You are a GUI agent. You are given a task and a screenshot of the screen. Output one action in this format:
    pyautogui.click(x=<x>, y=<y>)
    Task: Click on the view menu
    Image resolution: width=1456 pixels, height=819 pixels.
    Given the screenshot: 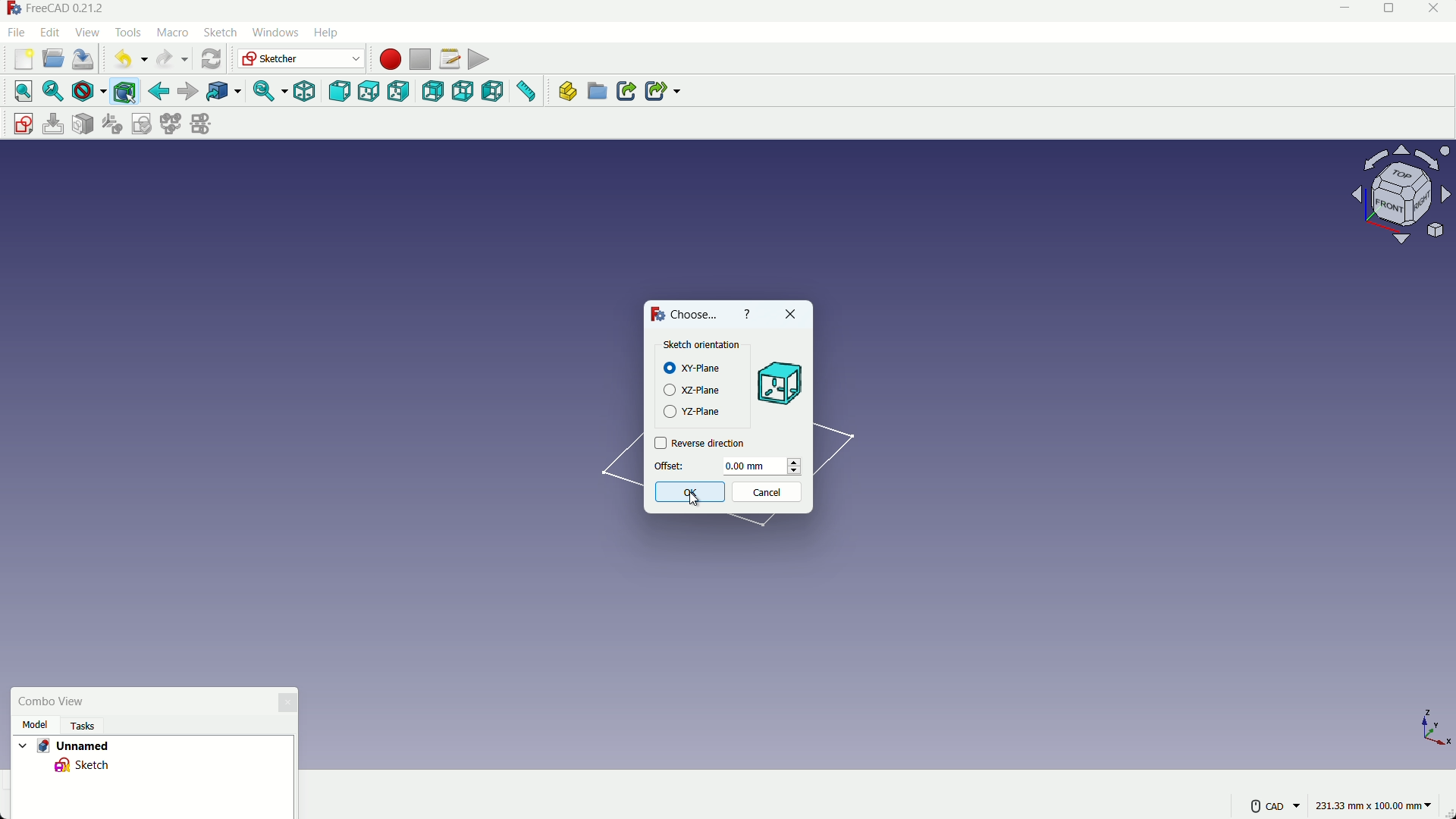 What is the action you would take?
    pyautogui.click(x=89, y=33)
    